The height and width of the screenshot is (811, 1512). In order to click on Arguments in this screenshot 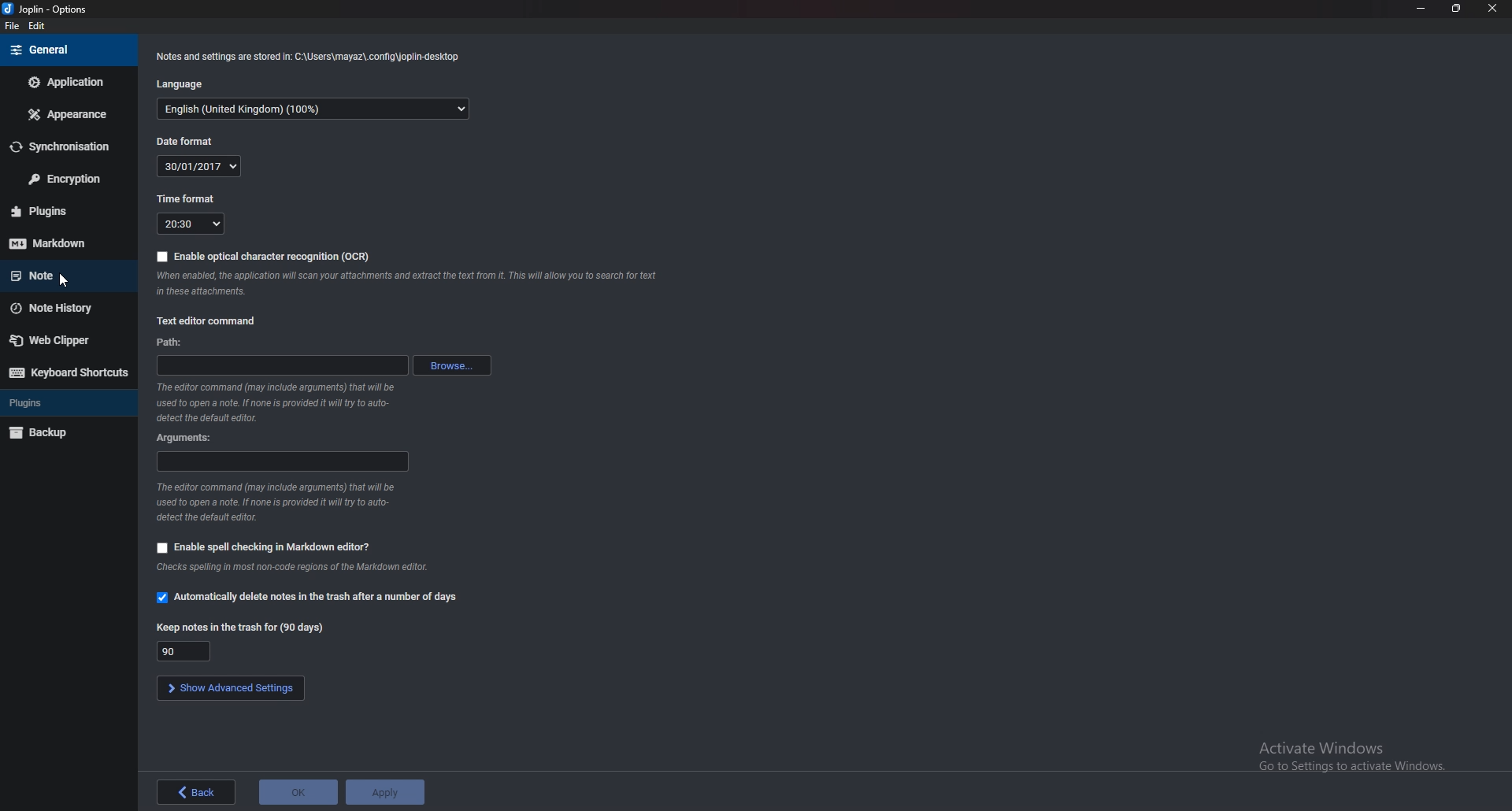, I will do `click(284, 461)`.